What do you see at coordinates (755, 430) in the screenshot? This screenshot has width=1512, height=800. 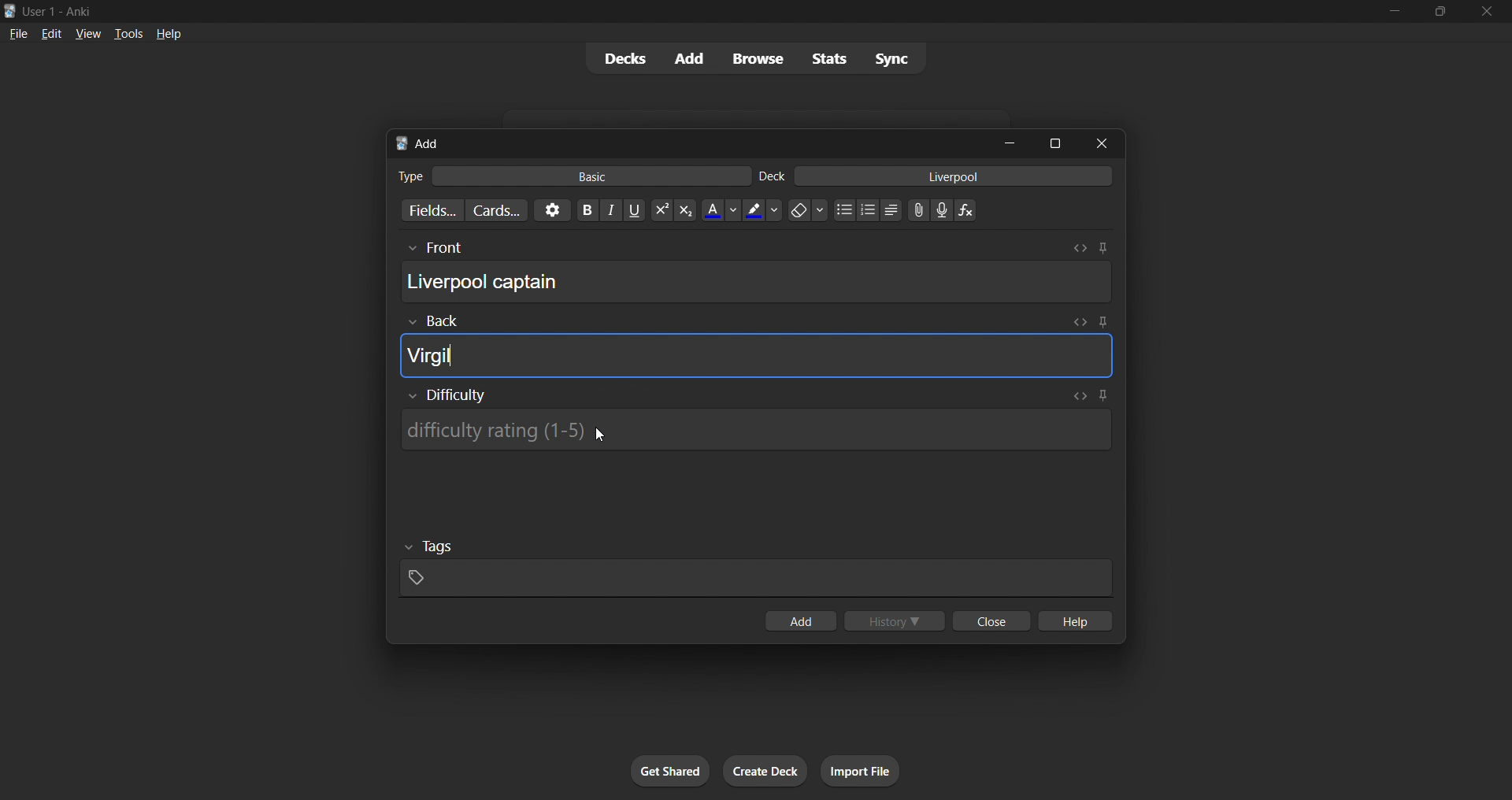 I see `Difficulty rating input box` at bounding box center [755, 430].